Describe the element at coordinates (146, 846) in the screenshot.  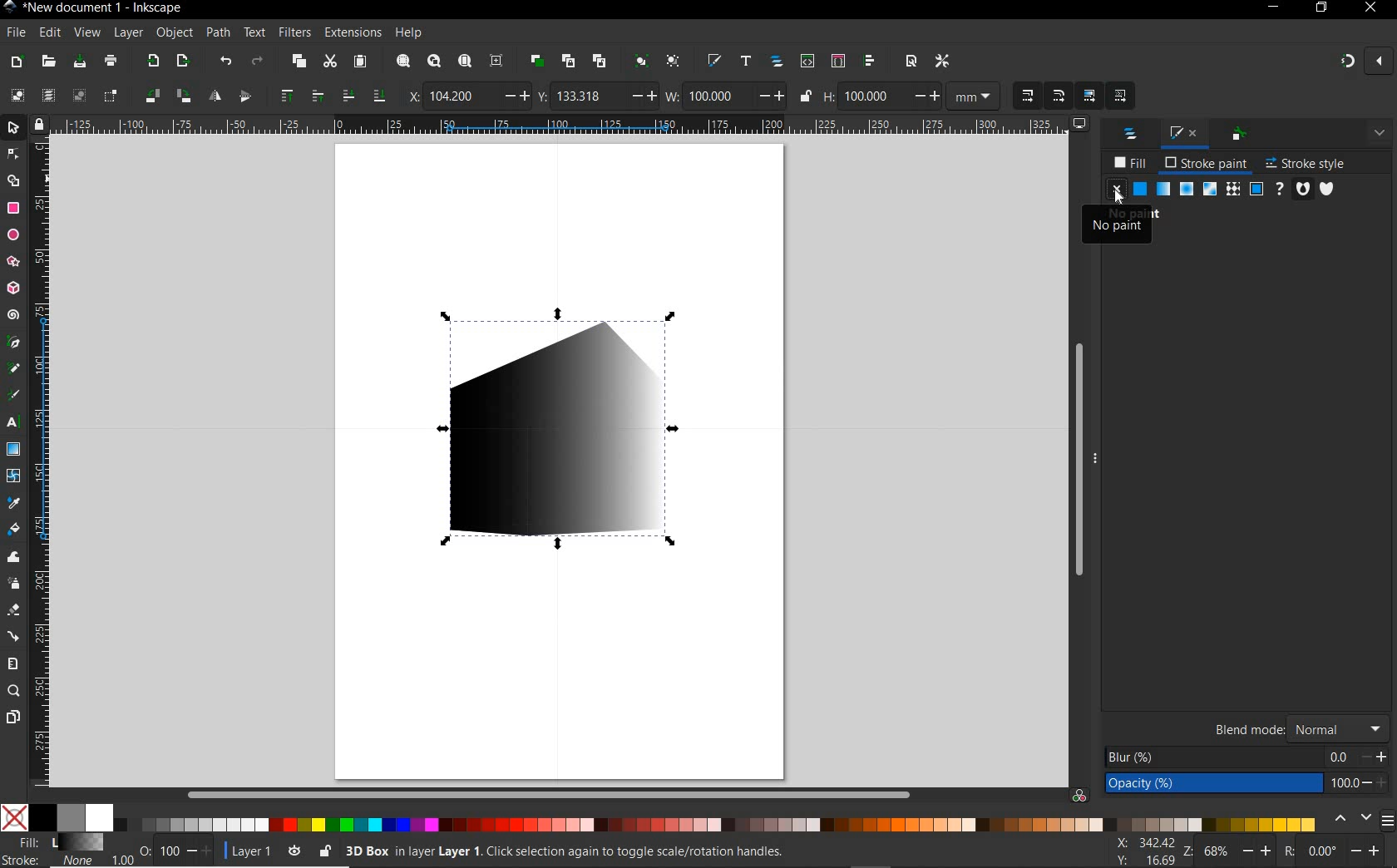
I see `OPACITY` at that location.